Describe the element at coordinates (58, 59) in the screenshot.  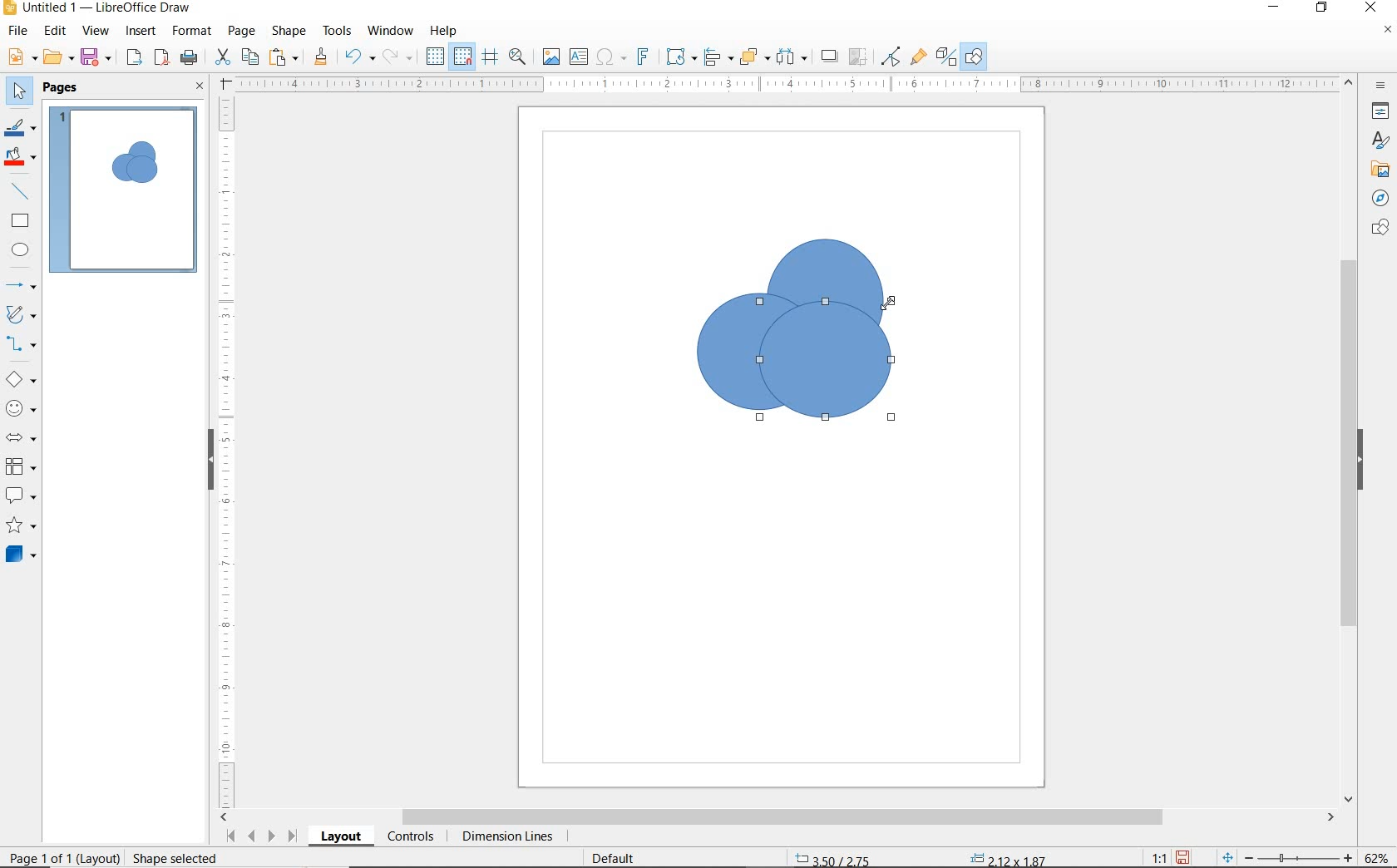
I see `OPEN` at that location.